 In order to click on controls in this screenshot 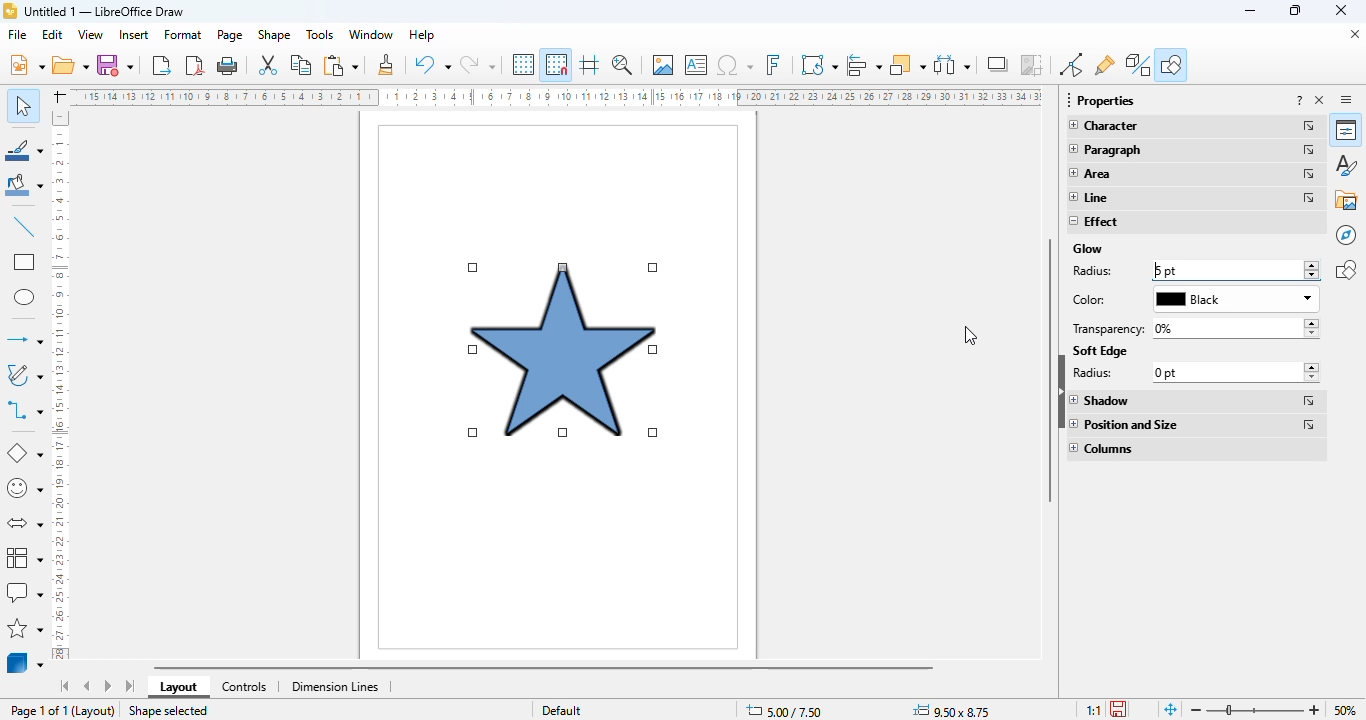, I will do `click(245, 688)`.